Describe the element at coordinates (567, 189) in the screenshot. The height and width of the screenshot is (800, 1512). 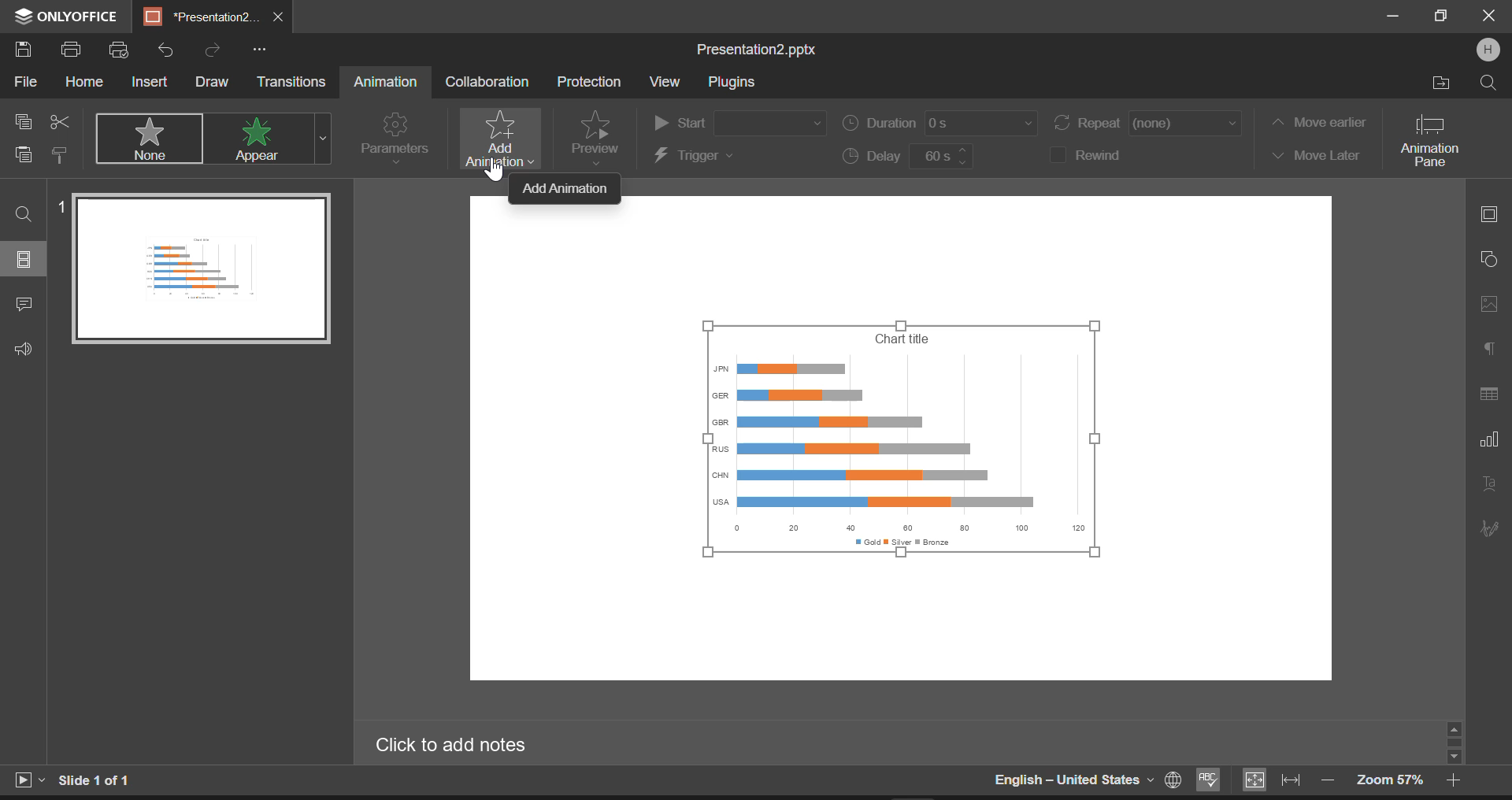
I see `Add Animation` at that location.